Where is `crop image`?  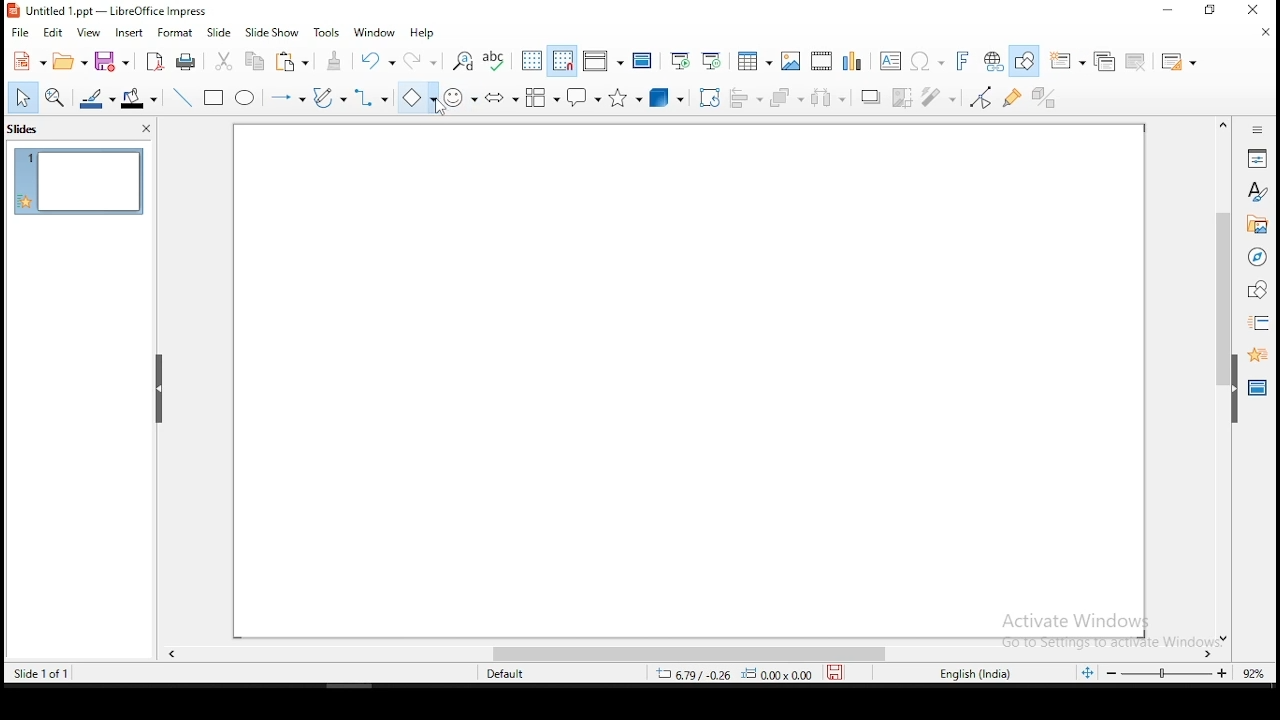 crop image is located at coordinates (904, 96).